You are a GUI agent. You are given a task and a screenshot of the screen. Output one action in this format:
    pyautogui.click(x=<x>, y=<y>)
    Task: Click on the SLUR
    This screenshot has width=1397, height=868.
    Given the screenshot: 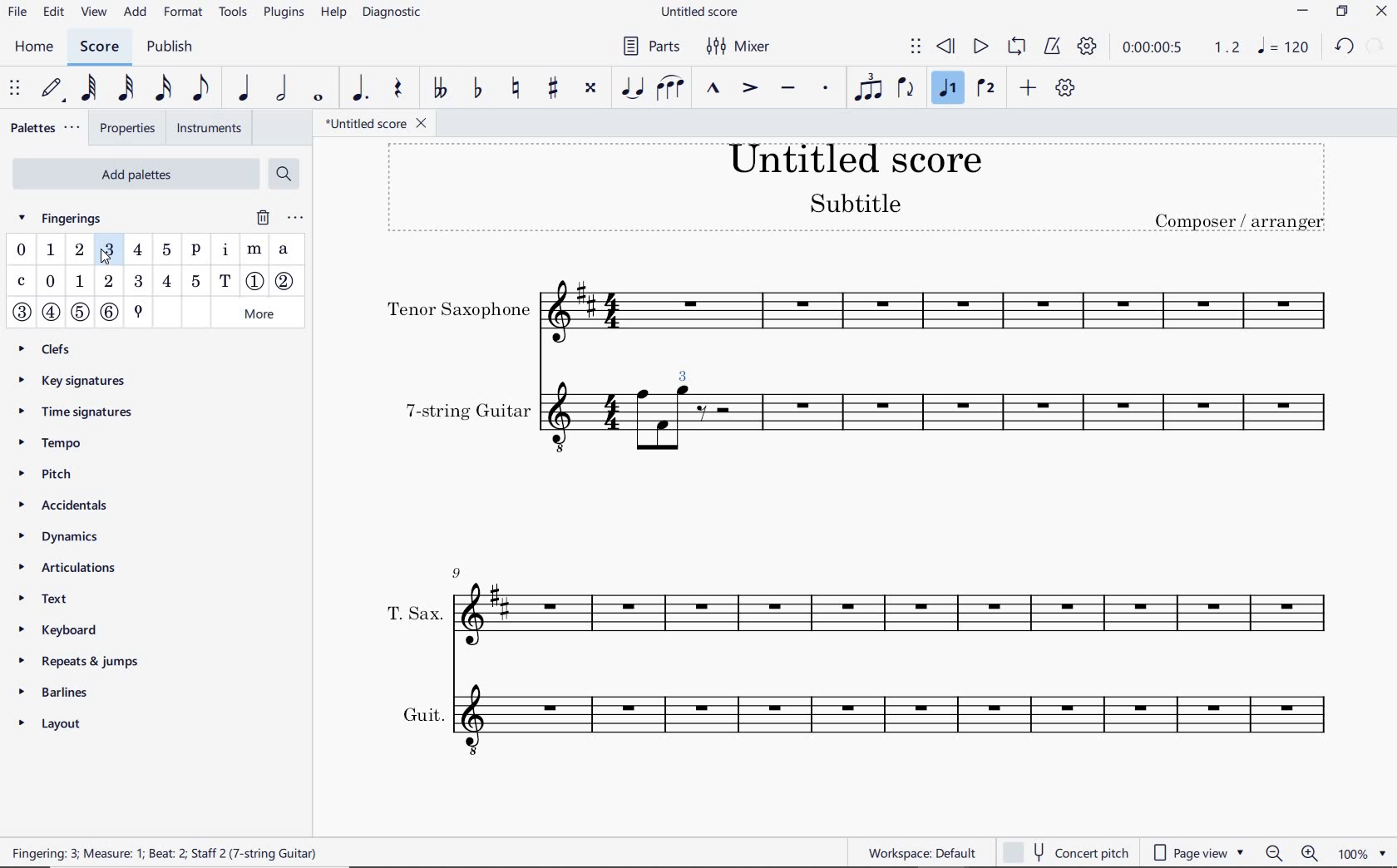 What is the action you would take?
    pyautogui.click(x=668, y=90)
    